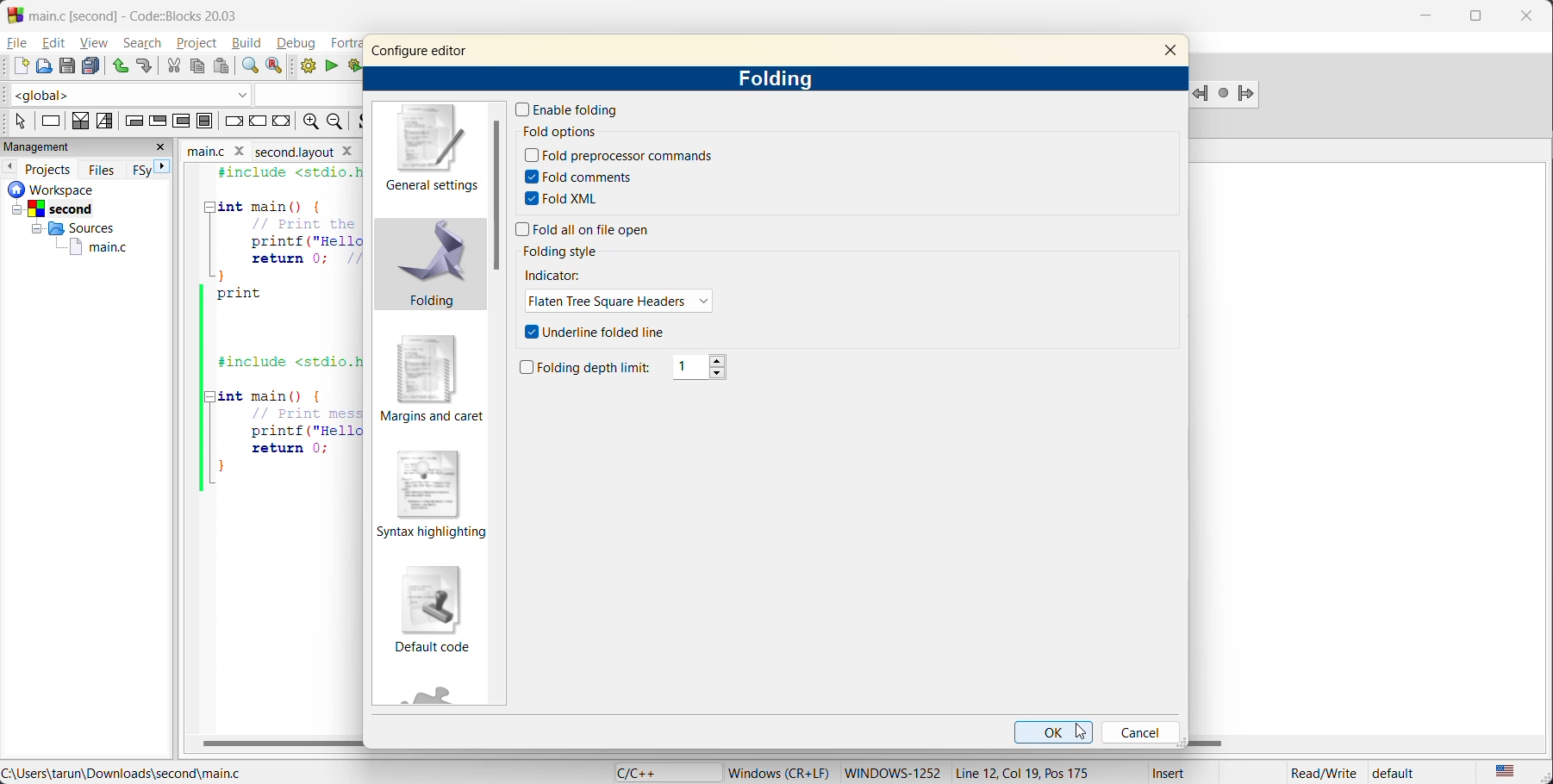  What do you see at coordinates (605, 332) in the screenshot?
I see `underline folded line` at bounding box center [605, 332].